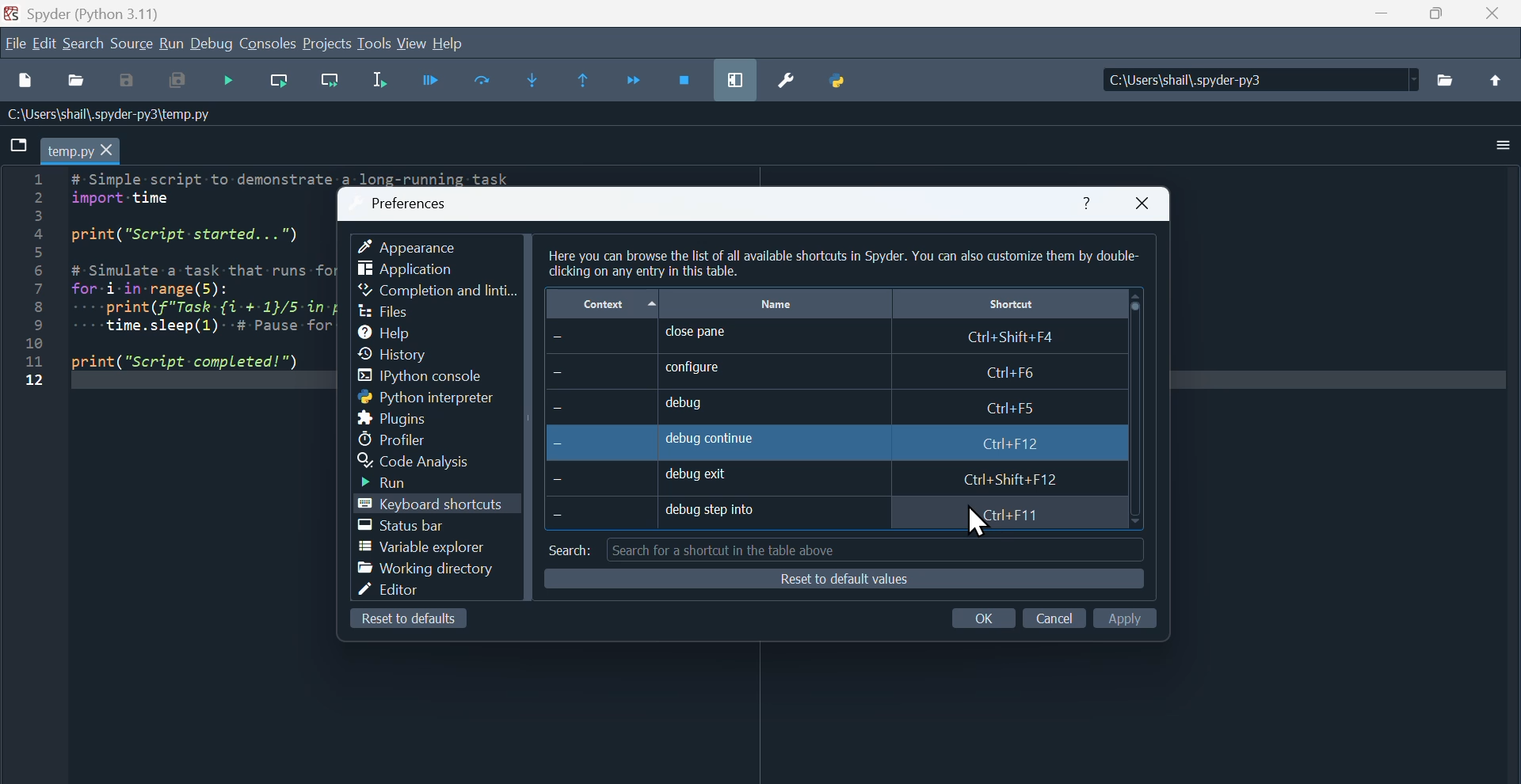  I want to click on debug exit, so click(825, 478).